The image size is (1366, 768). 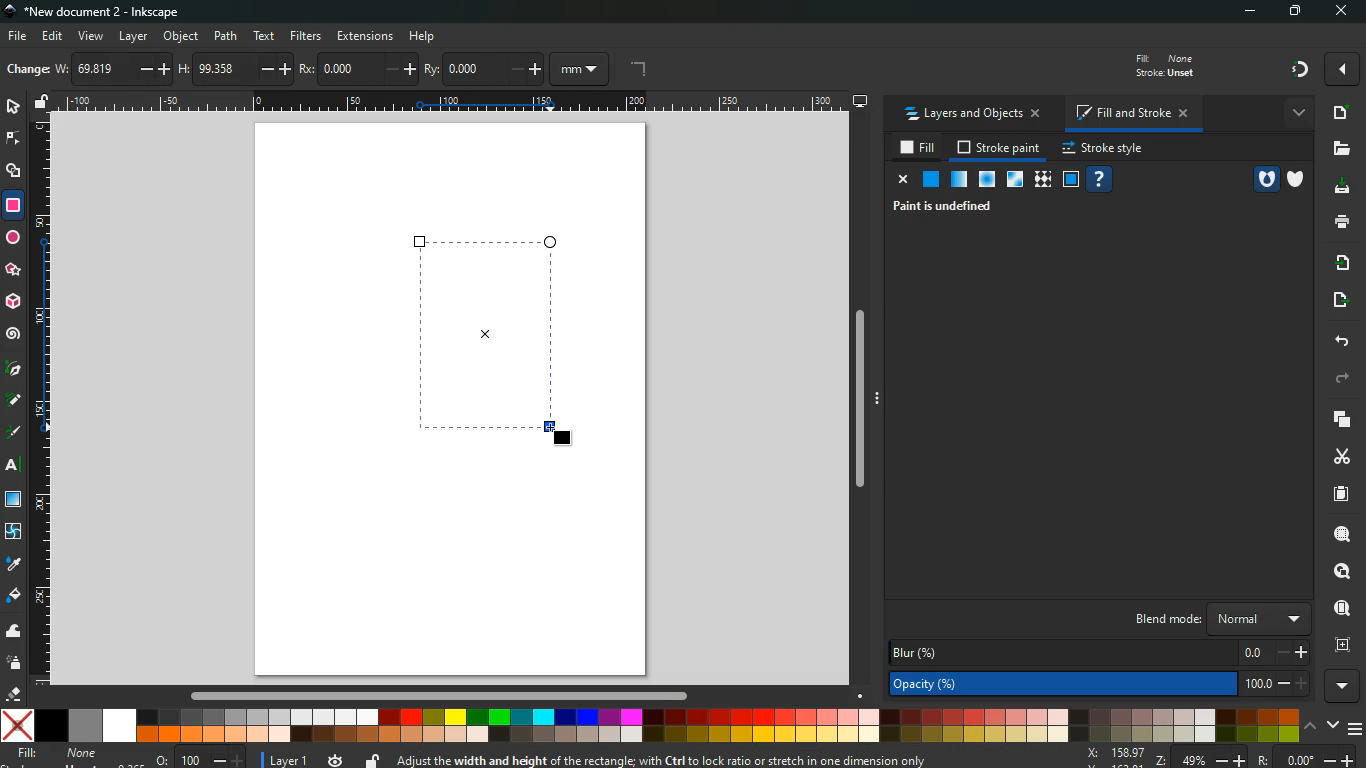 I want to click on wave, so click(x=12, y=631).